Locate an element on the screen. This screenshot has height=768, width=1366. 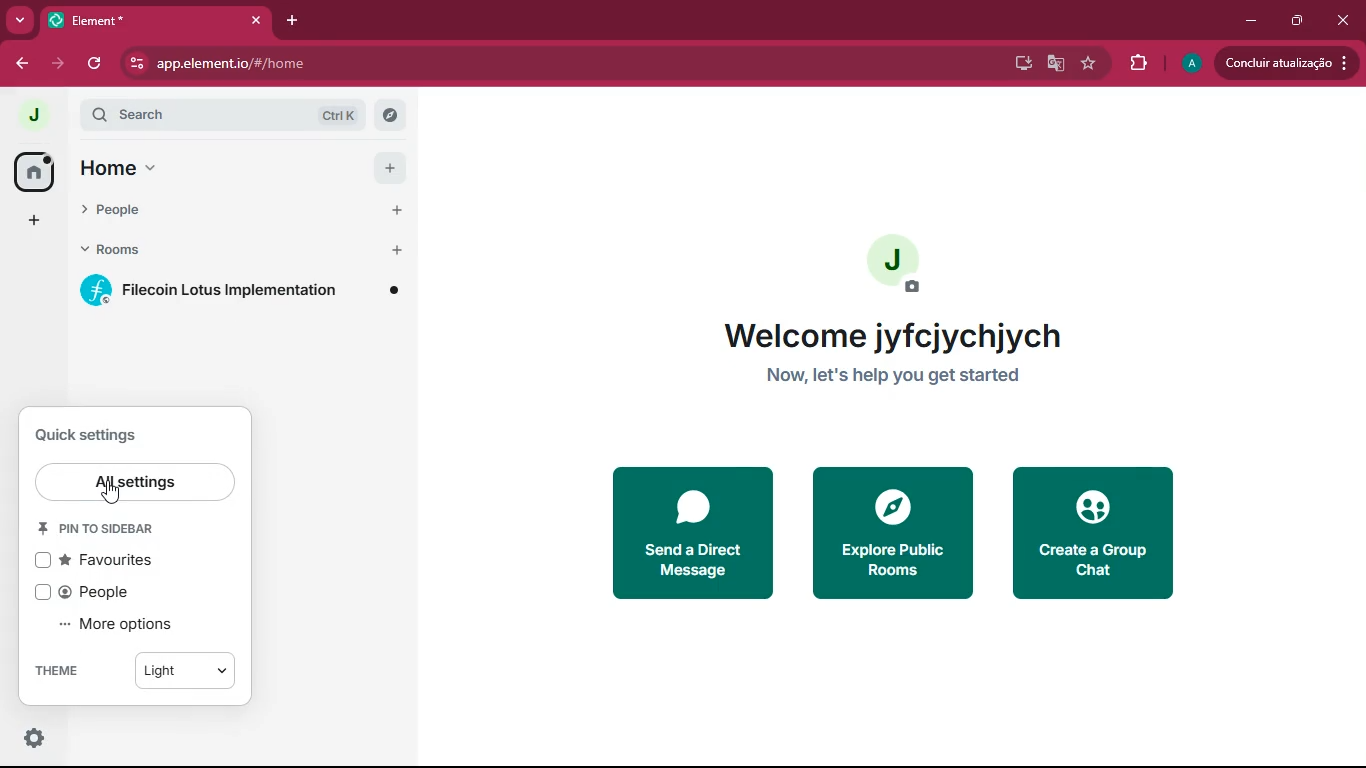
add button is located at coordinates (394, 251).